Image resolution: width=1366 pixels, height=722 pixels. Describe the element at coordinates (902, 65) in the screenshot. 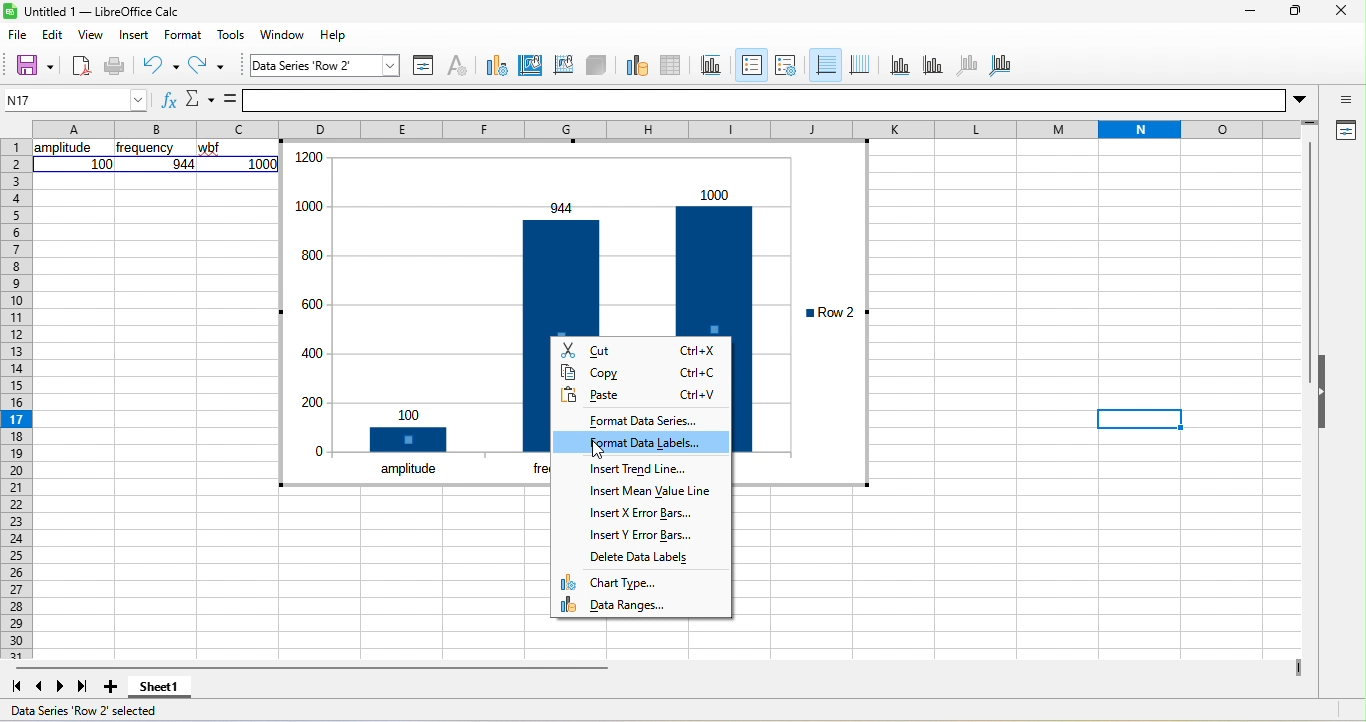

I see `x axis` at that location.